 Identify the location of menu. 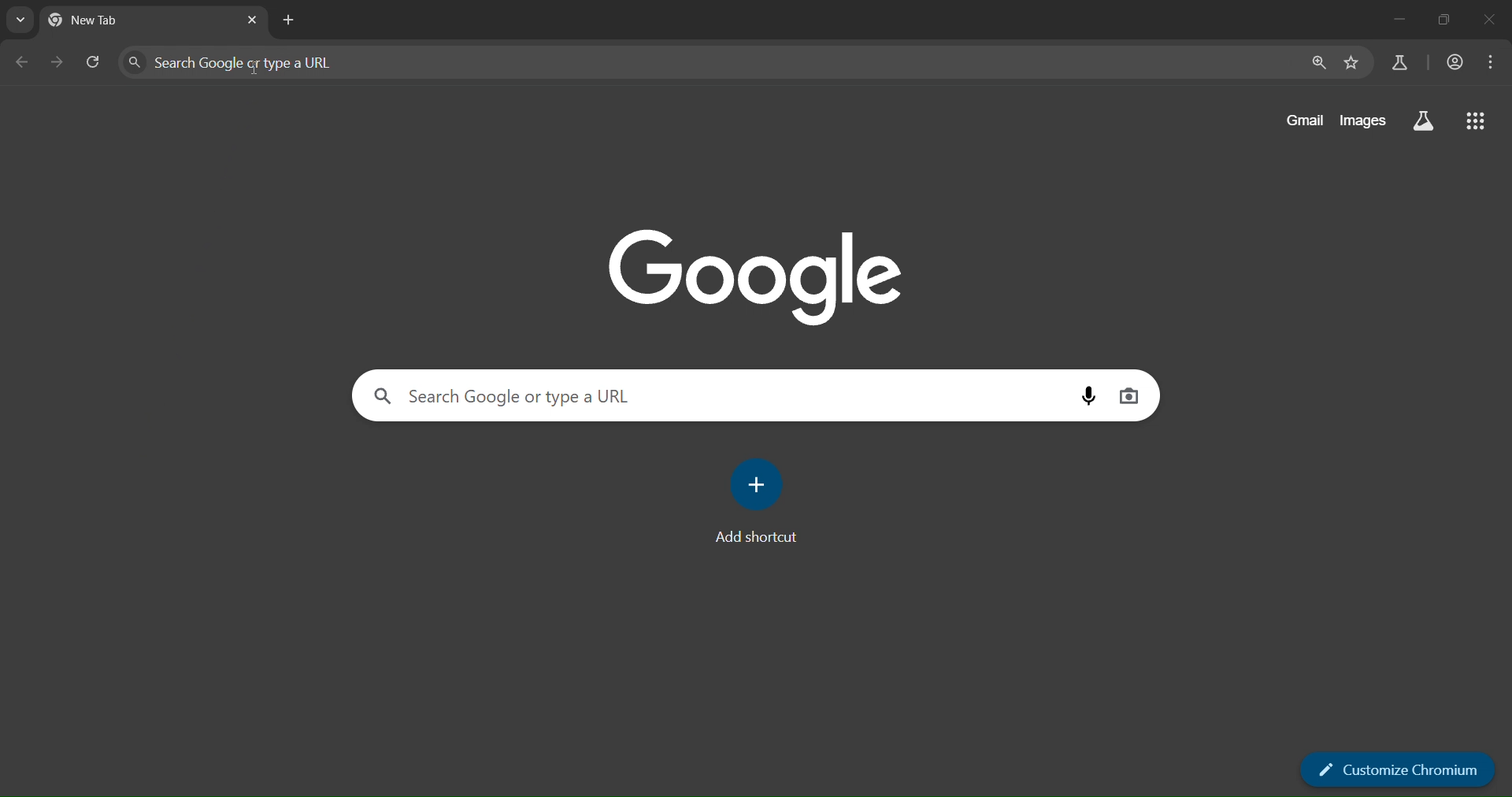
(1492, 63).